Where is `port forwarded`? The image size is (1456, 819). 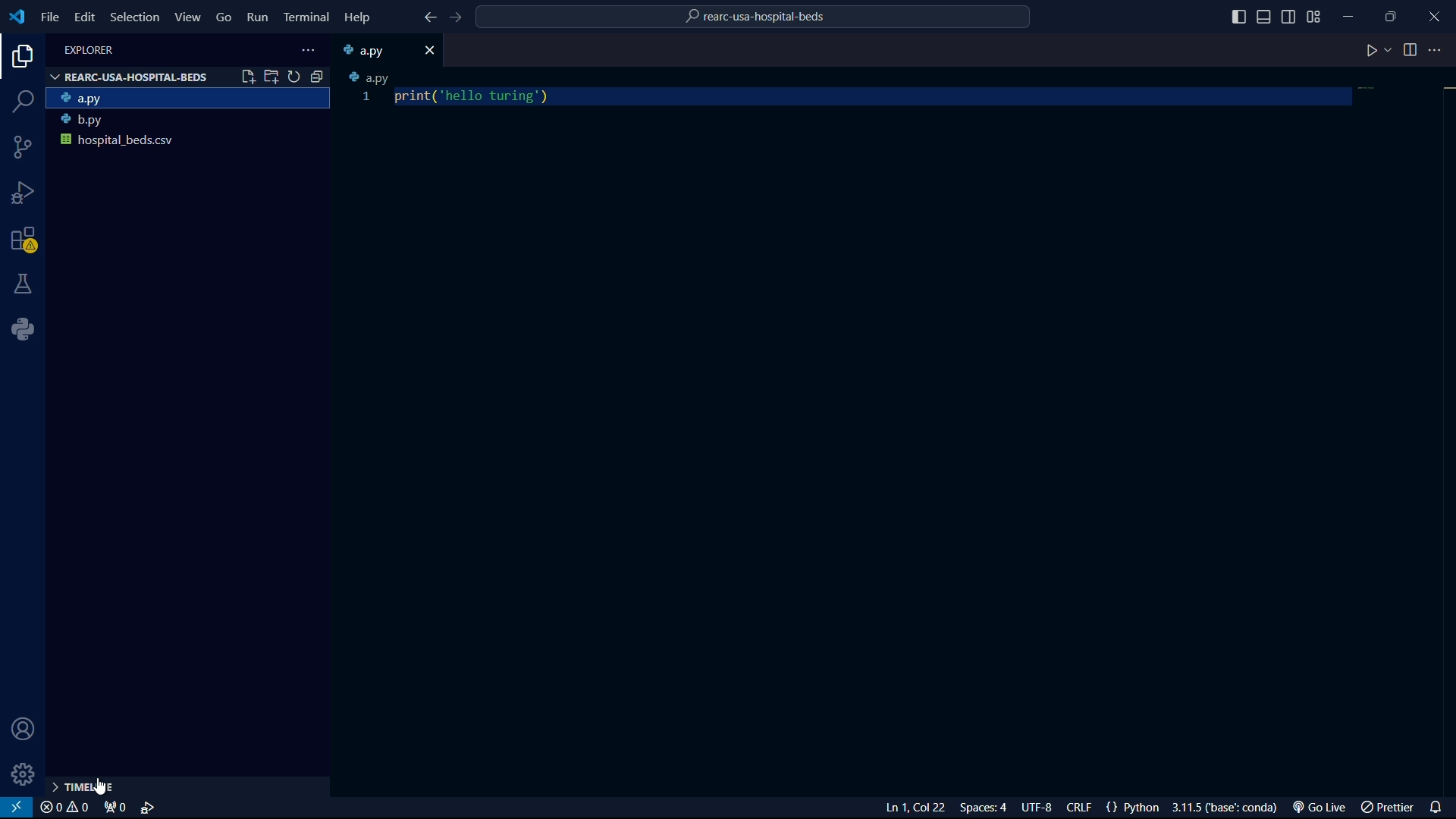
port forwarded is located at coordinates (112, 808).